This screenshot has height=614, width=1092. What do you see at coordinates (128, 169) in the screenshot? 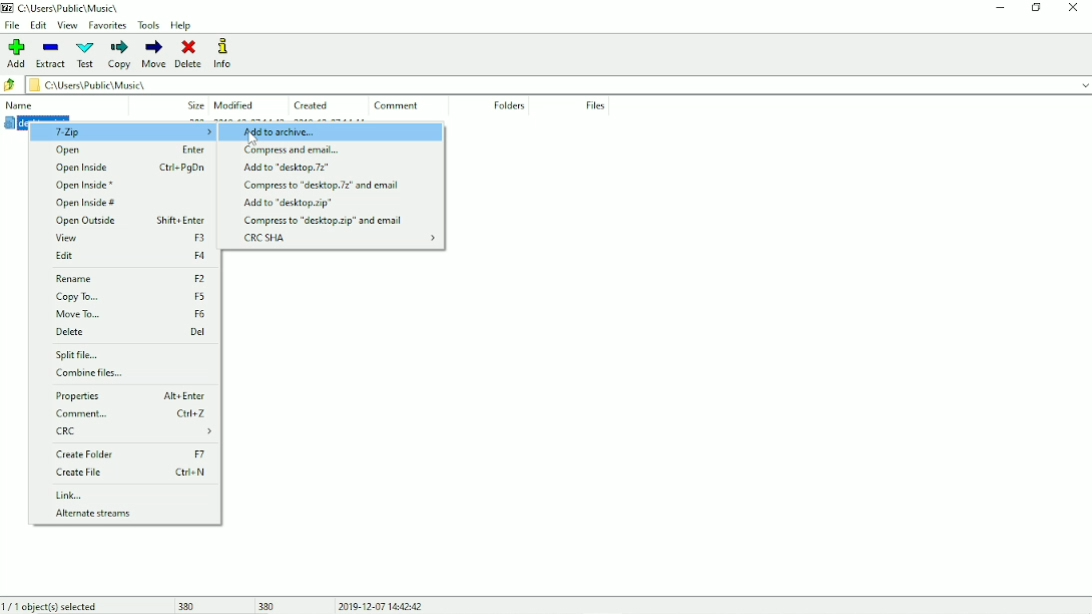
I see `Open Inside` at bounding box center [128, 169].